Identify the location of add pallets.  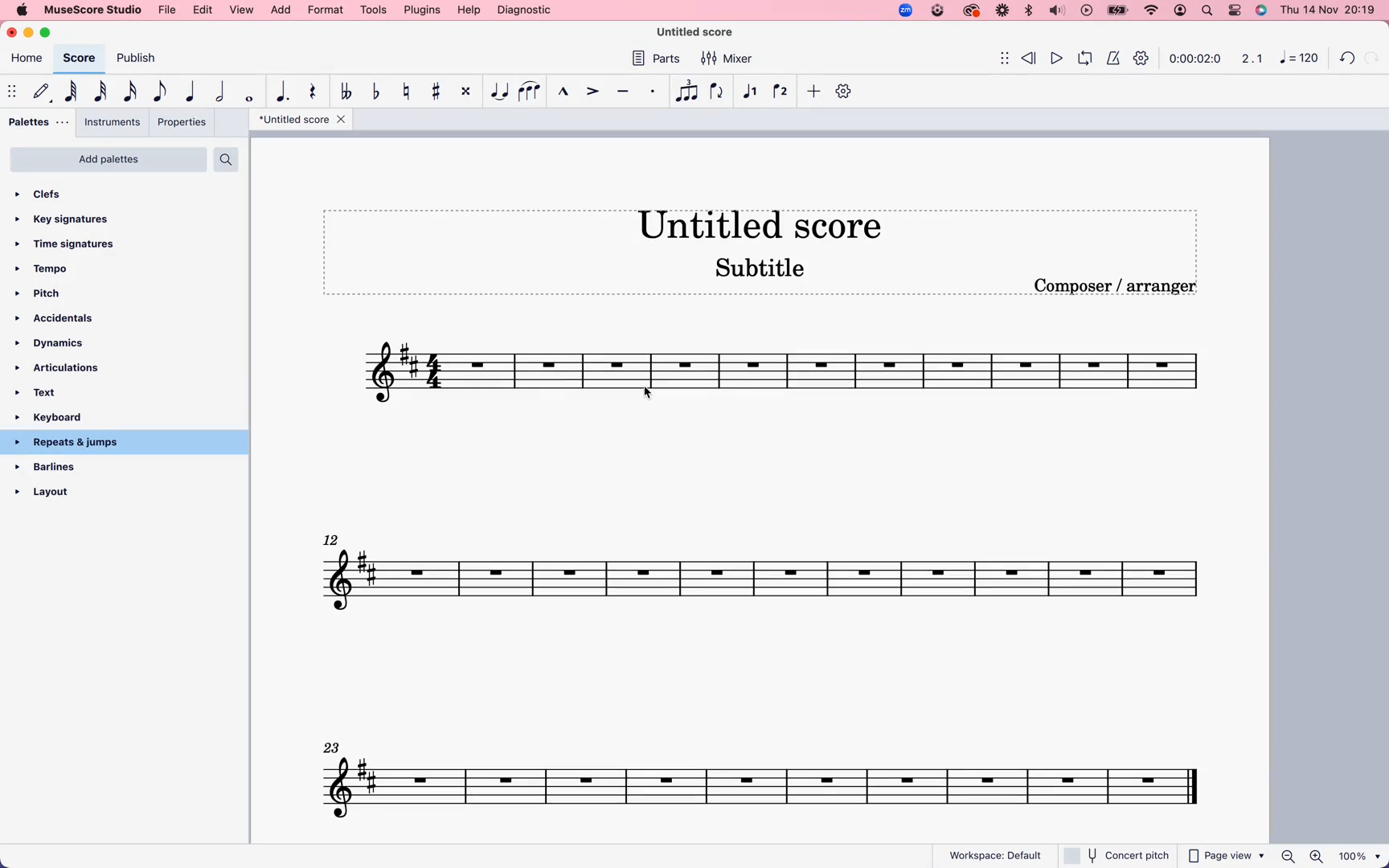
(109, 159).